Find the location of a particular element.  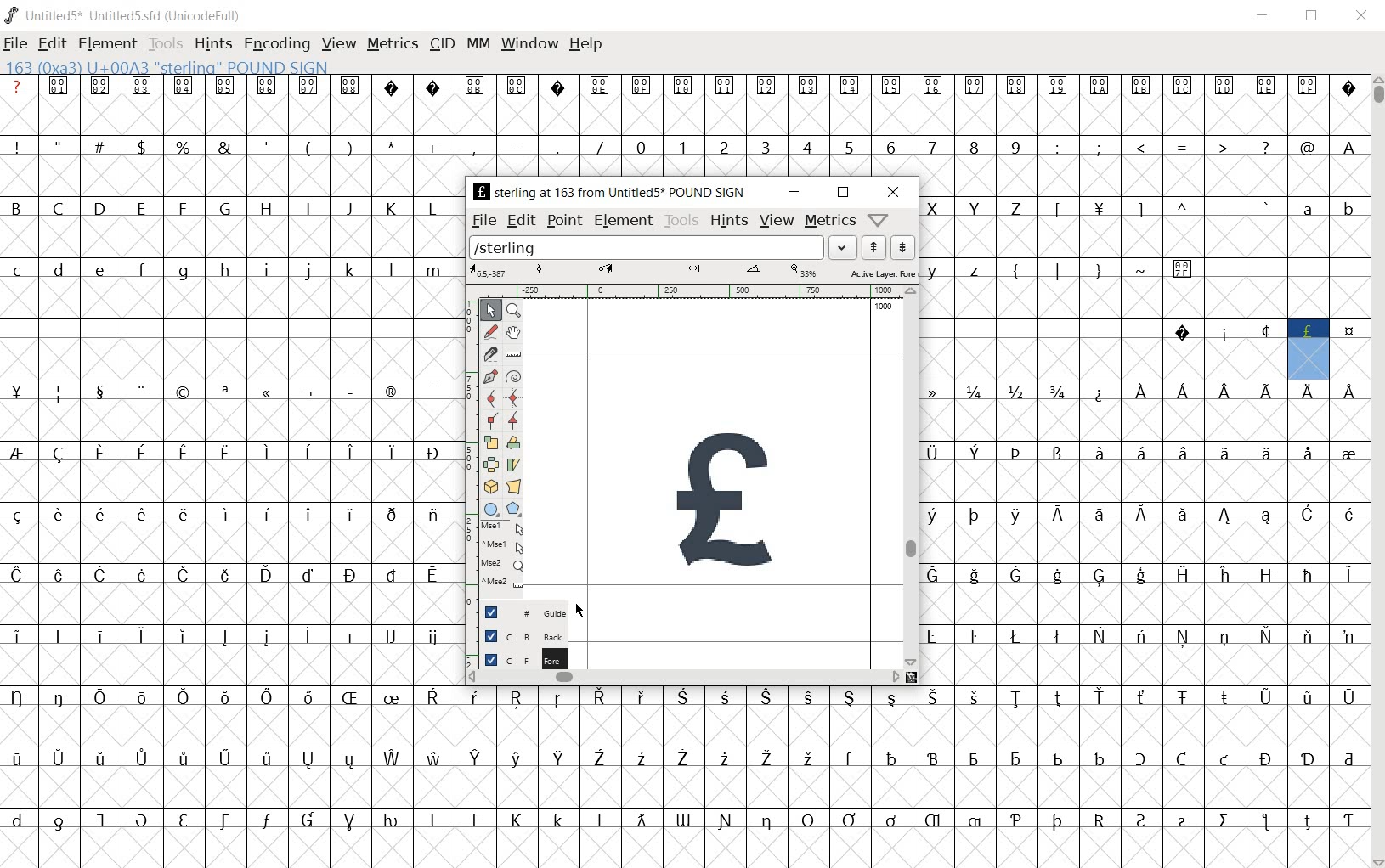

Symbol is located at coordinates (307, 451).